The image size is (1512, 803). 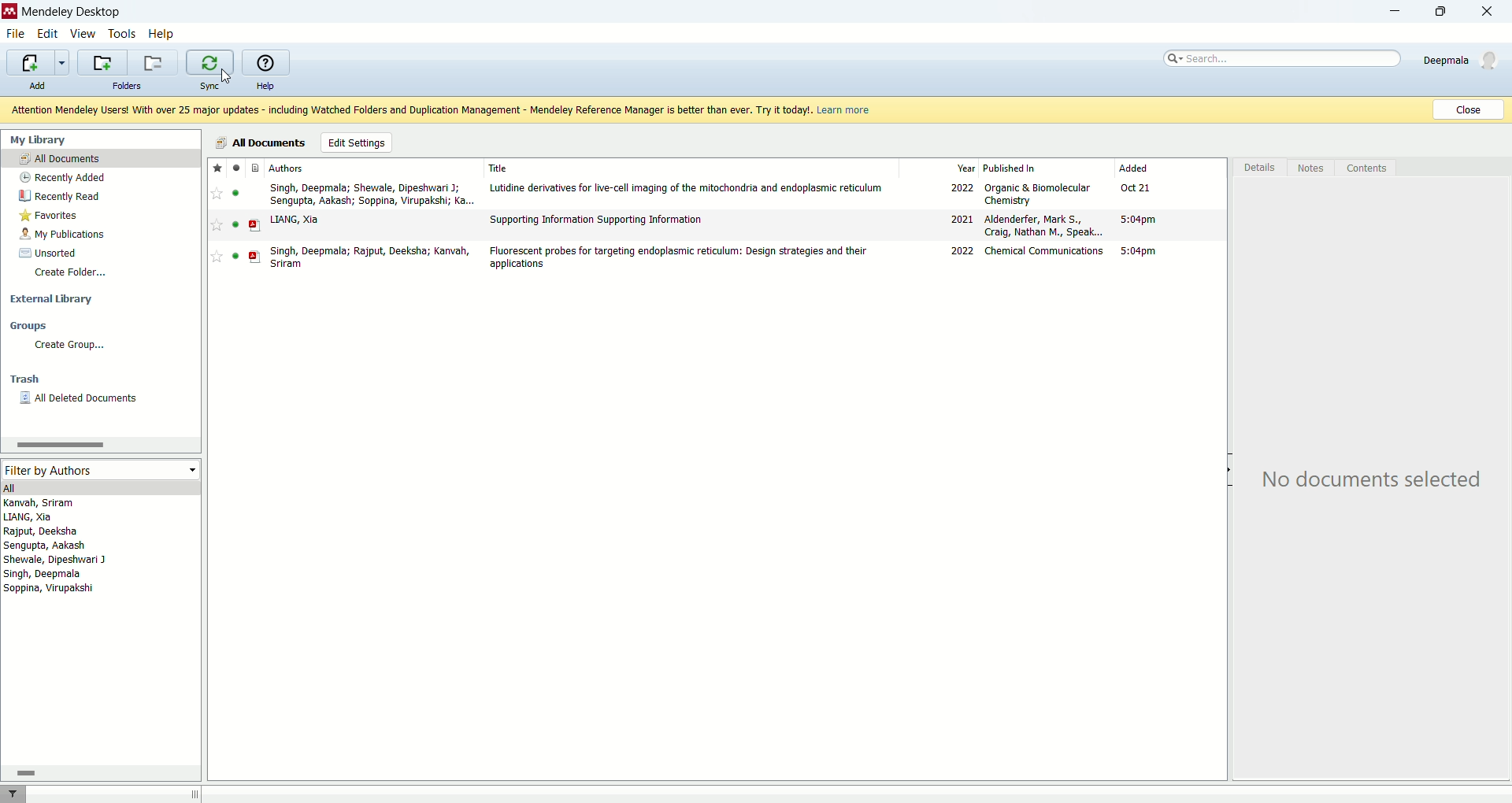 I want to click on trash, so click(x=25, y=379).